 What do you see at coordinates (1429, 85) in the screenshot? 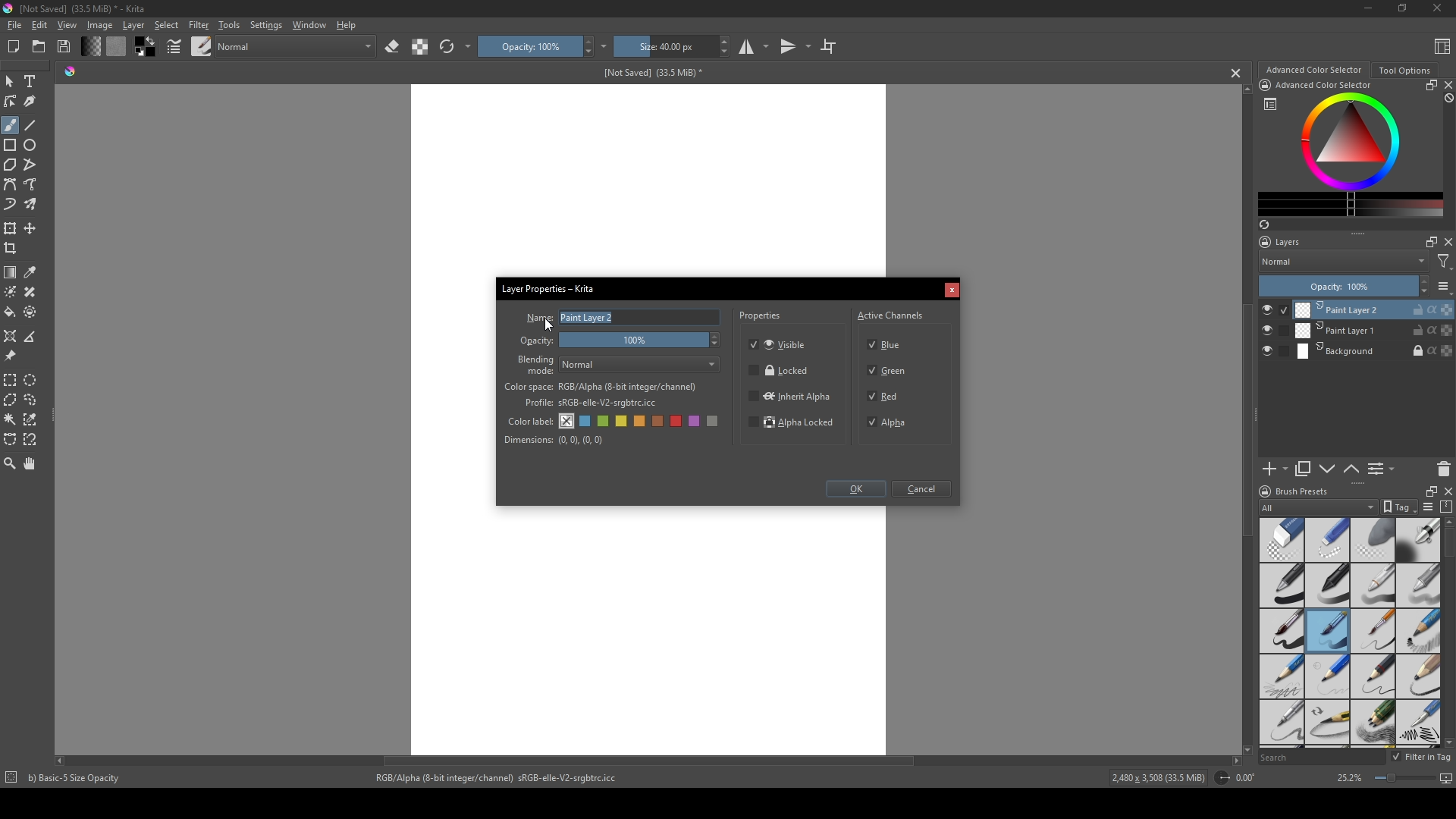
I see `resize` at bounding box center [1429, 85].